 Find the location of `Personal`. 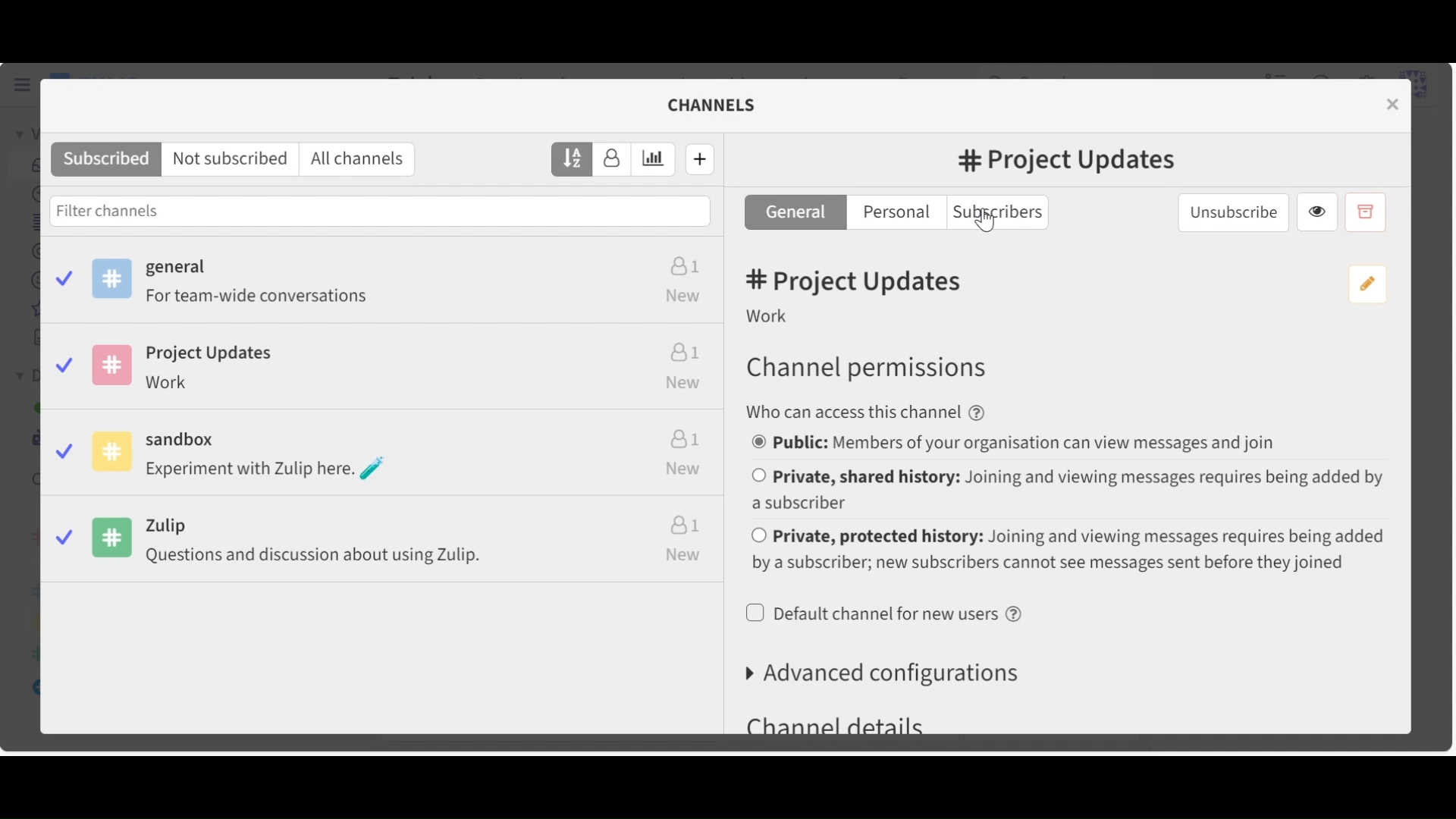

Personal is located at coordinates (895, 212).